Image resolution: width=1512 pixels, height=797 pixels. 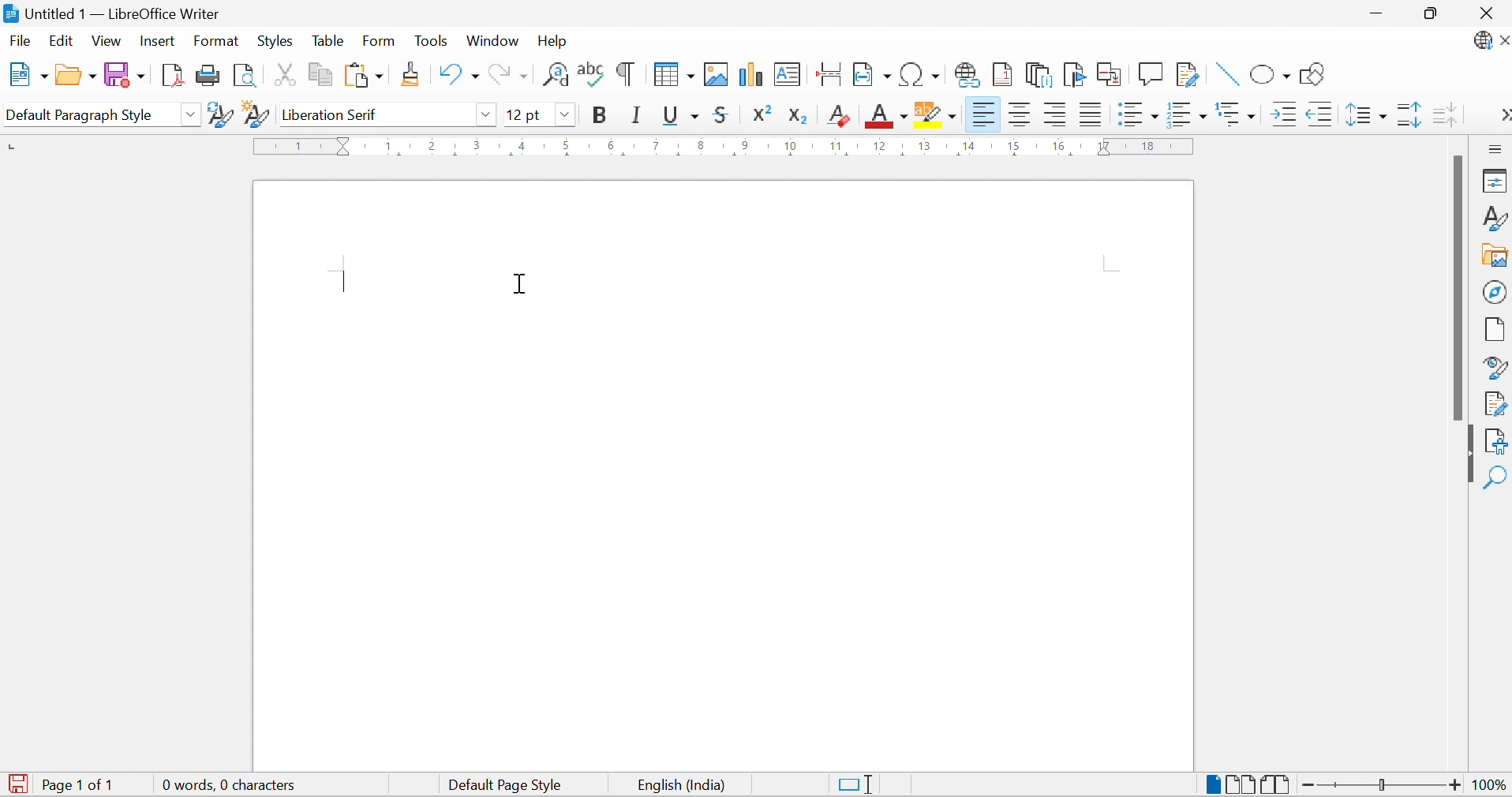 I want to click on Copy, so click(x=318, y=75).